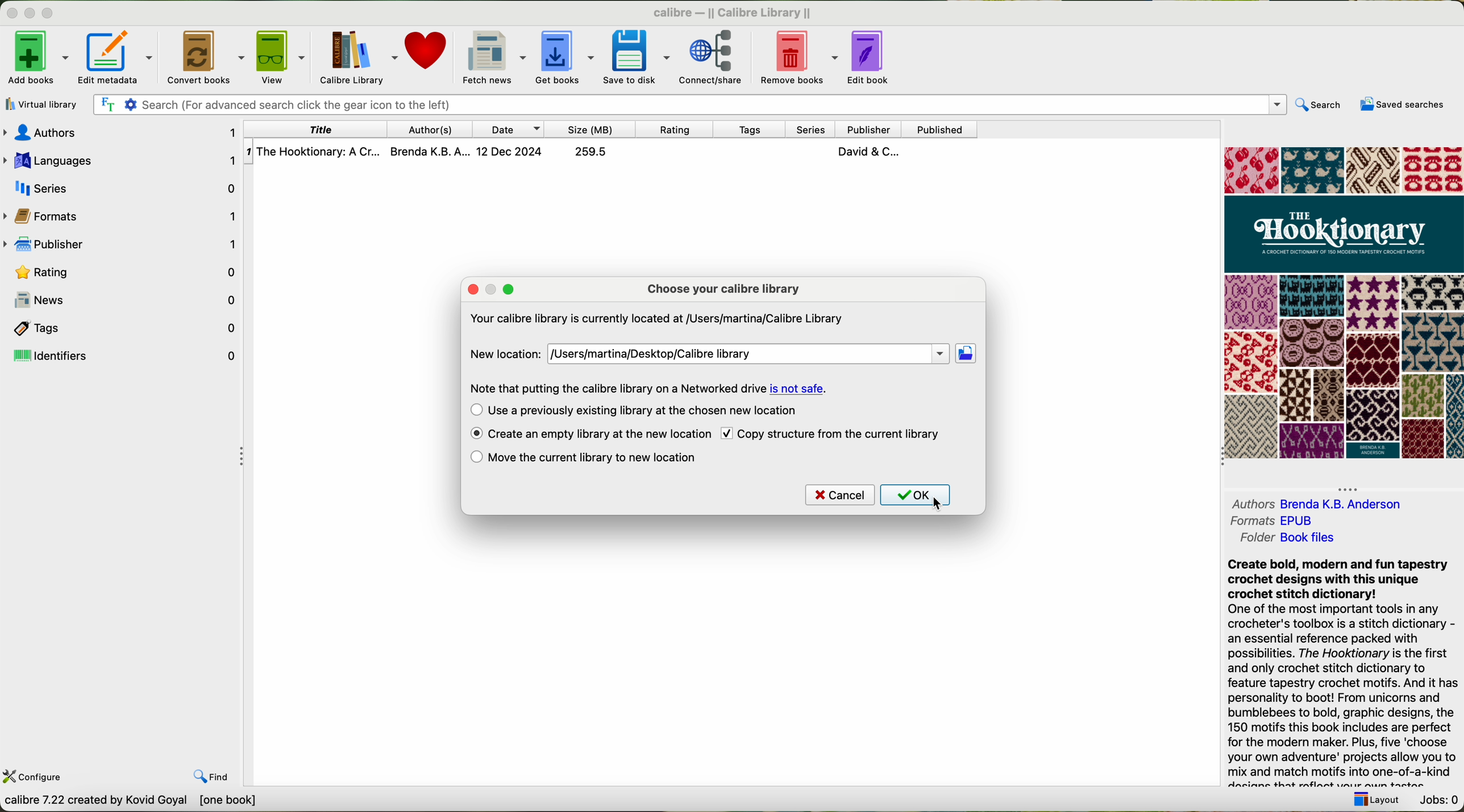  I want to click on click on create an empty library, so click(600, 434).